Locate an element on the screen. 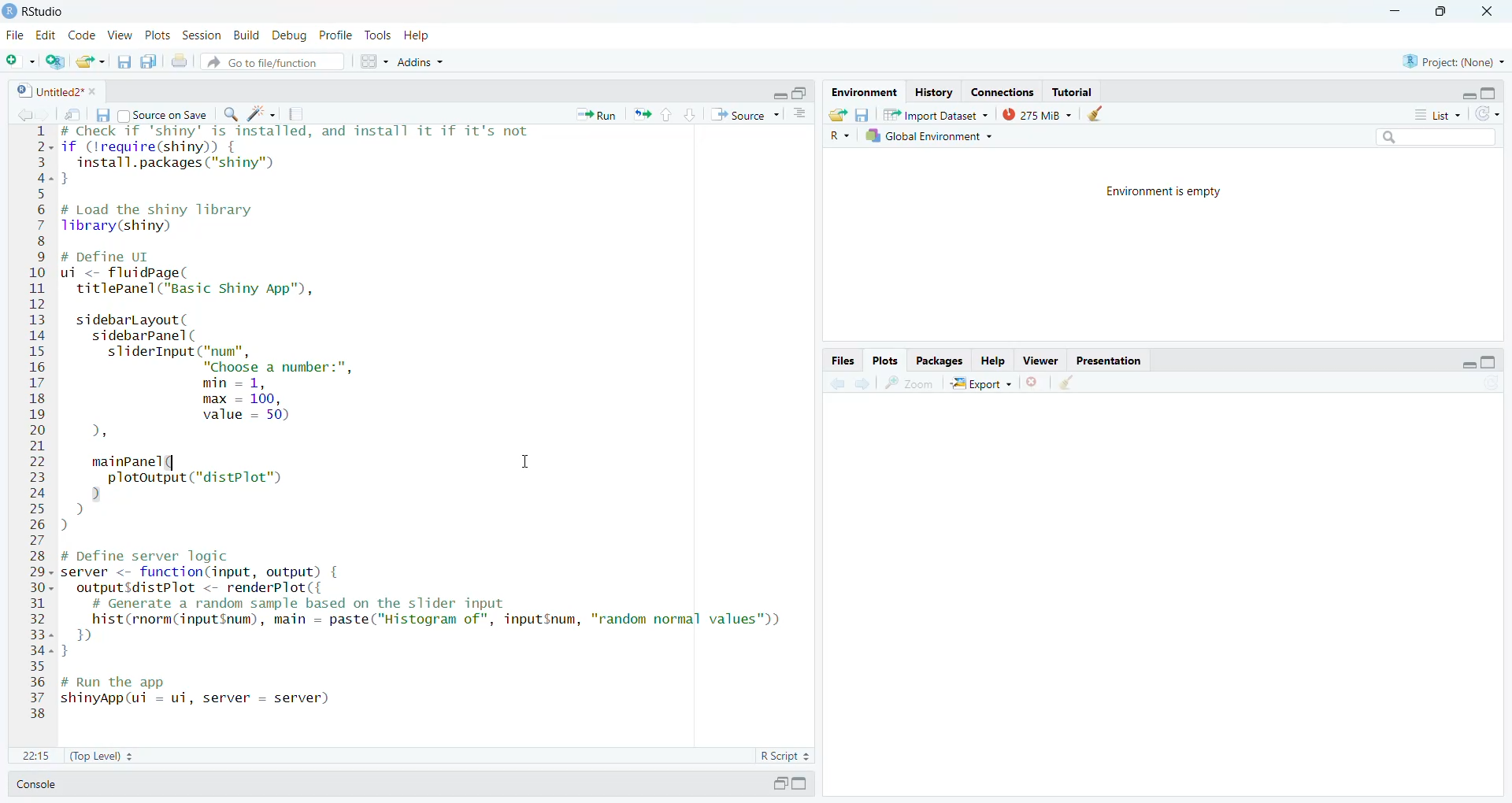  minimize is located at coordinates (779, 95).